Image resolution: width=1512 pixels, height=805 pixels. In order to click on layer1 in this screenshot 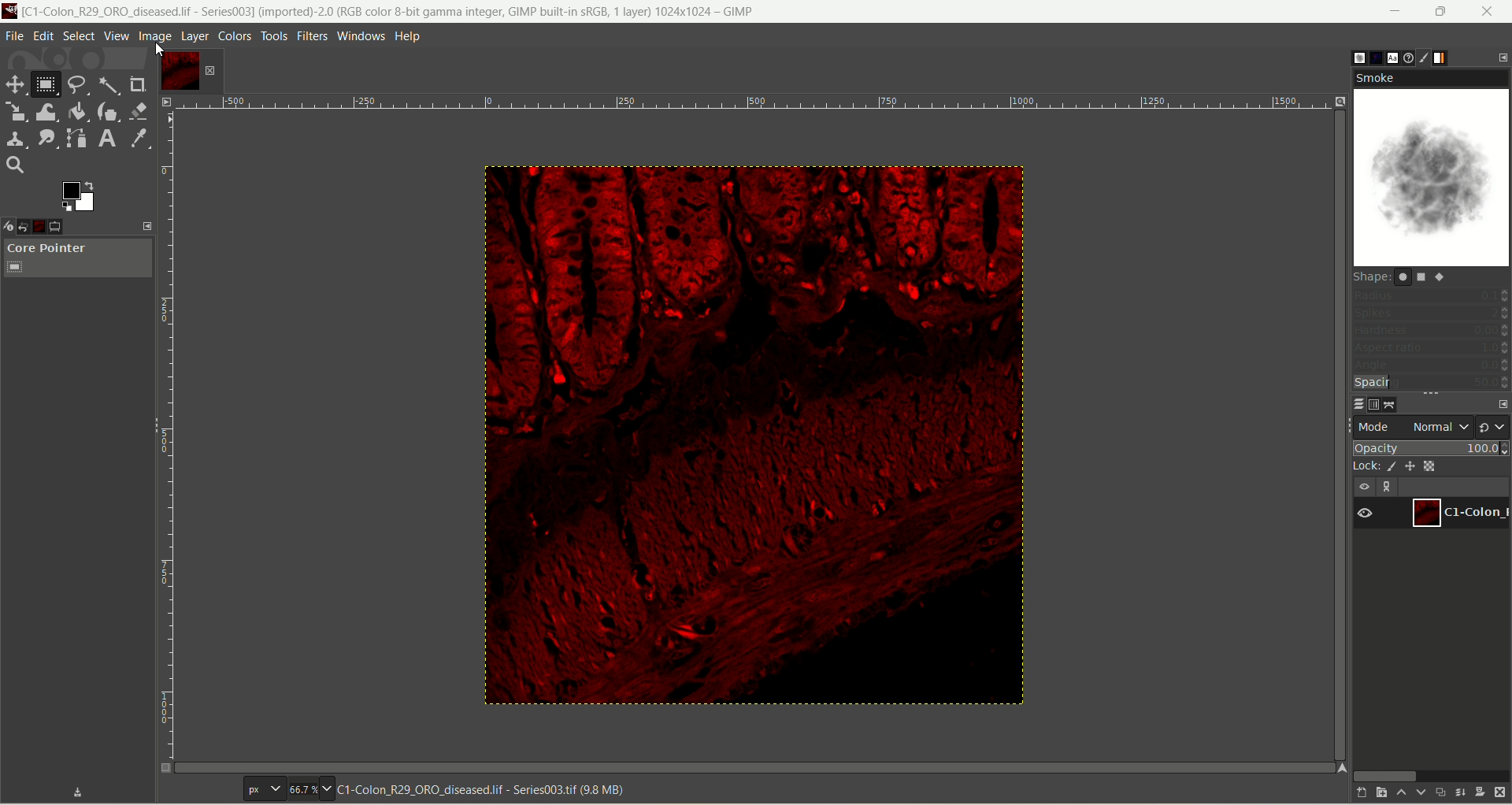, I will do `click(1462, 513)`.